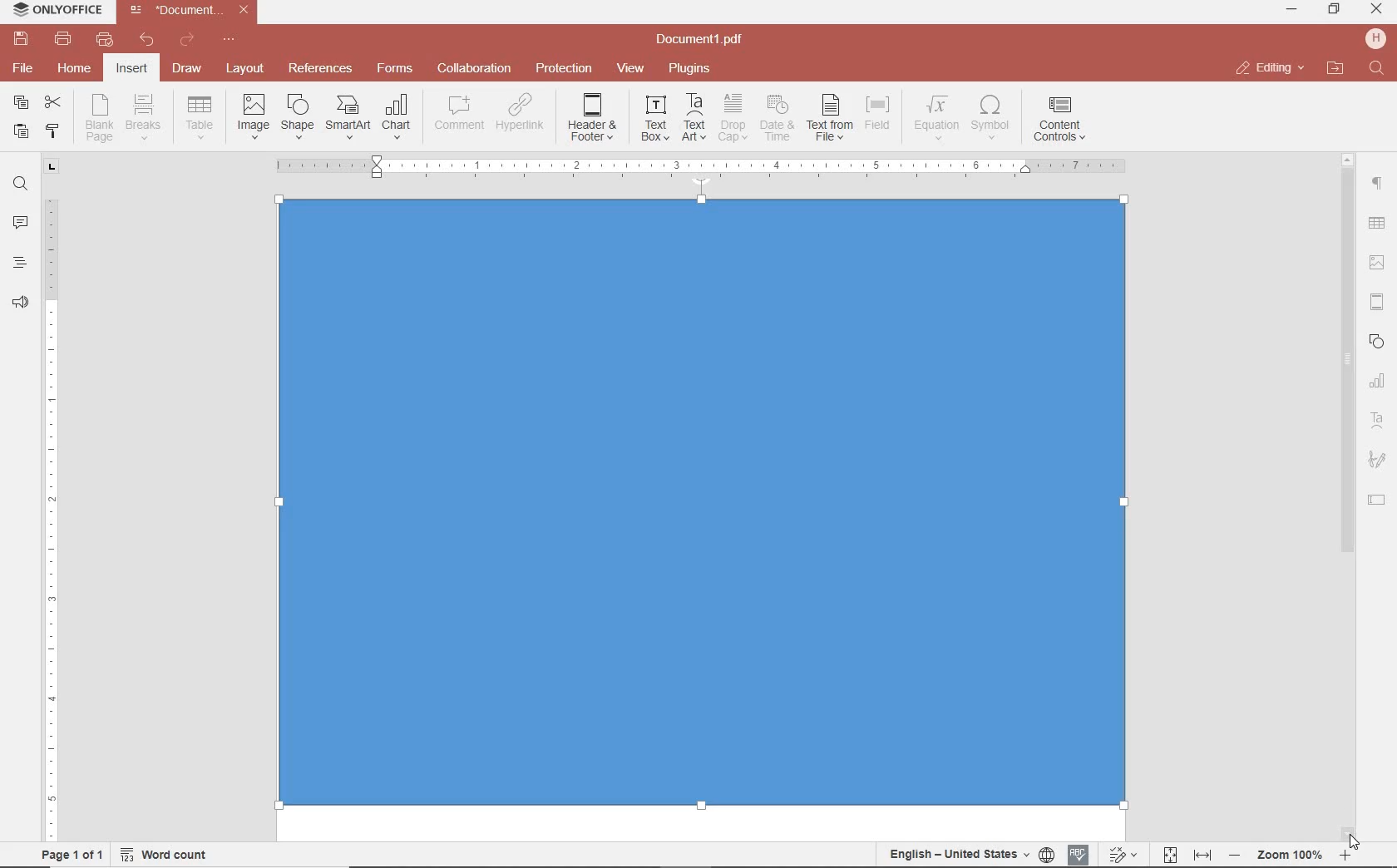 This screenshot has width=1397, height=868. Describe the element at coordinates (1059, 120) in the screenshot. I see `INSERT CONTENT CONTROLS` at that location.